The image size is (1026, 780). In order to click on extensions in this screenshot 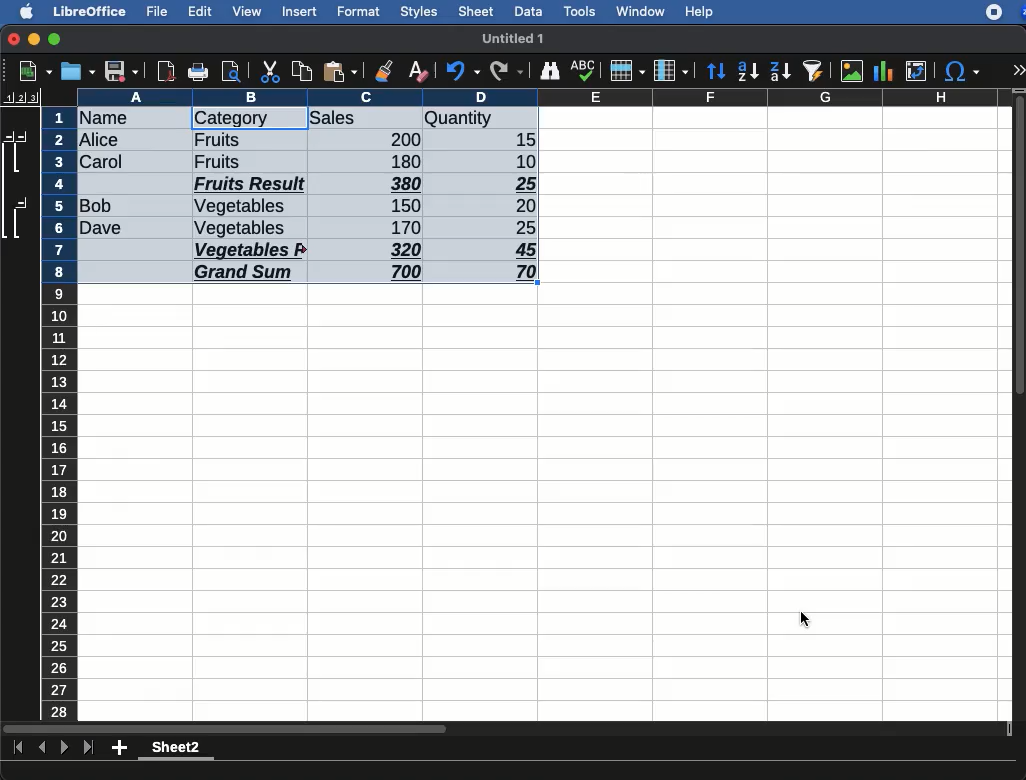, I will do `click(1005, 12)`.